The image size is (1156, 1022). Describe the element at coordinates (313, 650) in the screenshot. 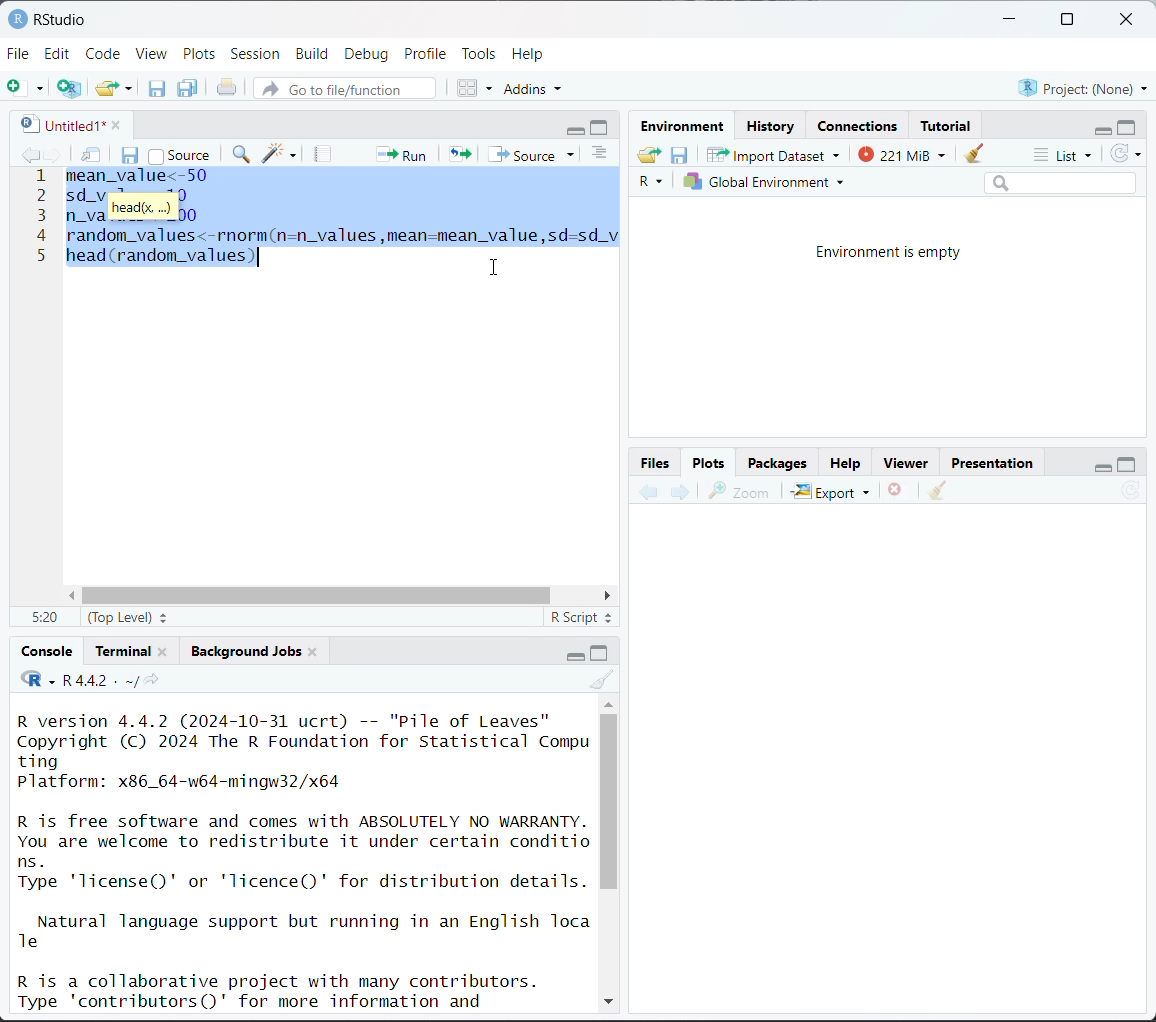

I see `close` at that location.